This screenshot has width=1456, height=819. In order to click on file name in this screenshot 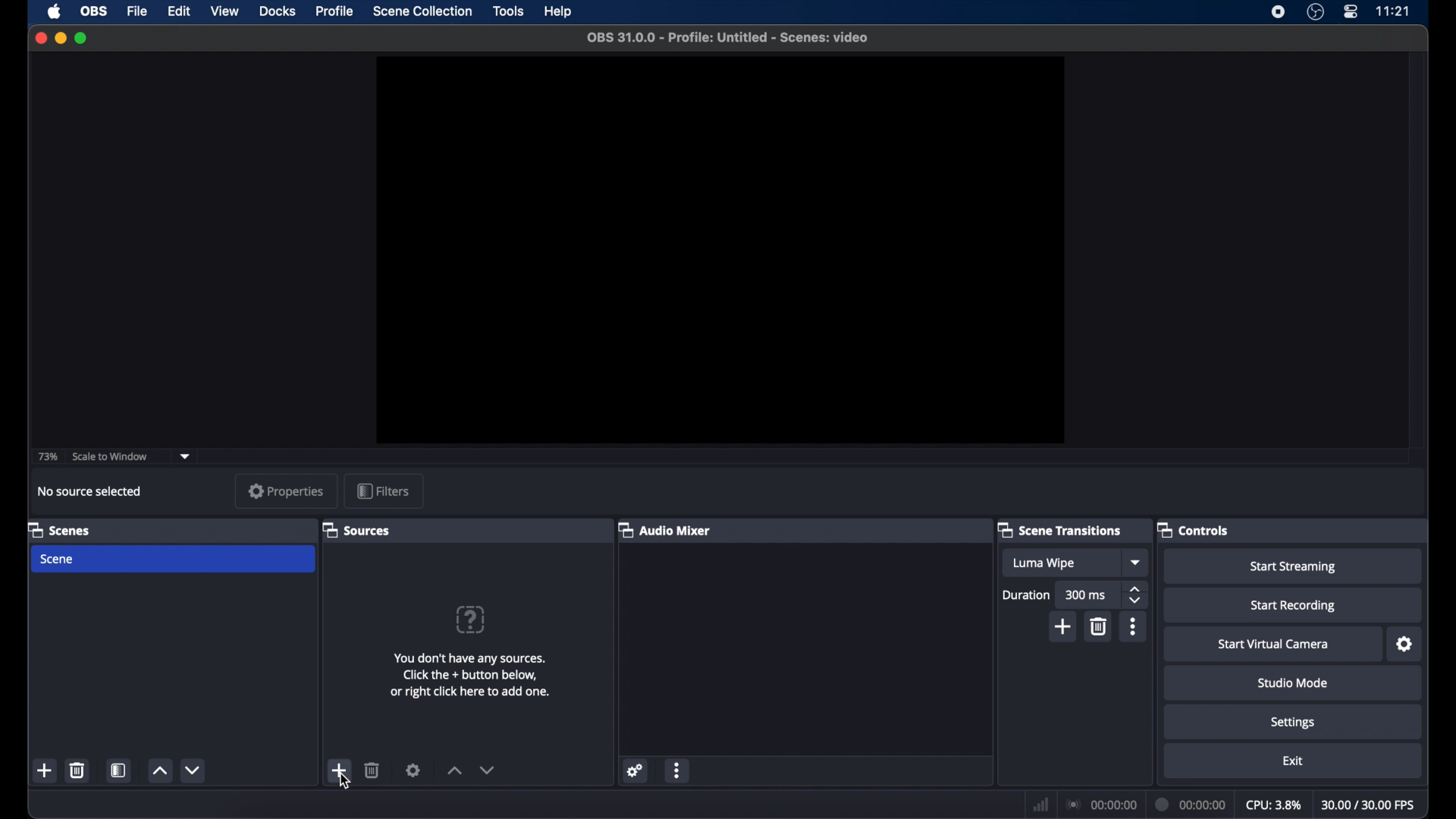, I will do `click(728, 38)`.